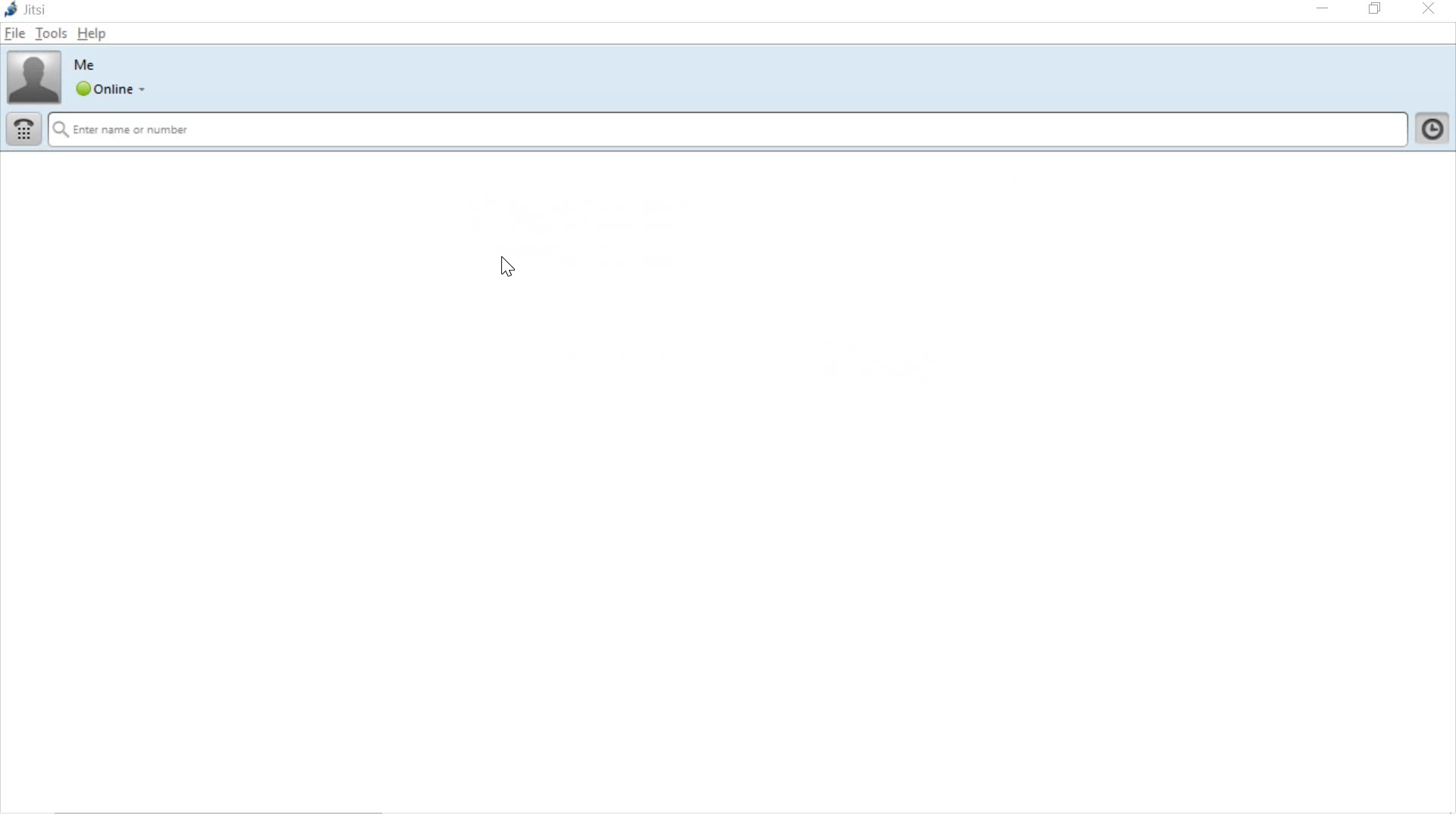  I want to click on account profile, so click(30, 77).